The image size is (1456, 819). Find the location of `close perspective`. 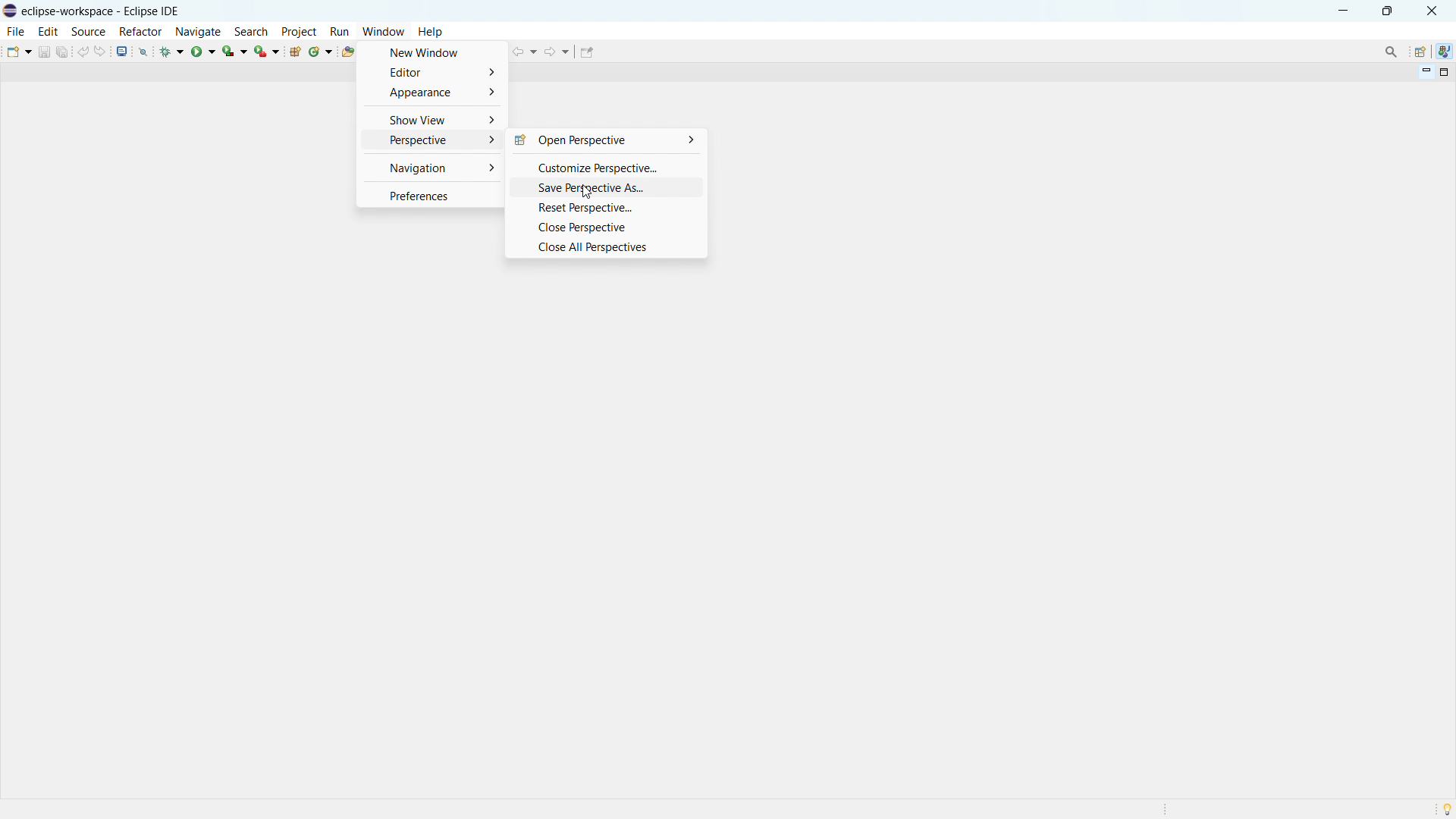

close perspective is located at coordinates (606, 227).